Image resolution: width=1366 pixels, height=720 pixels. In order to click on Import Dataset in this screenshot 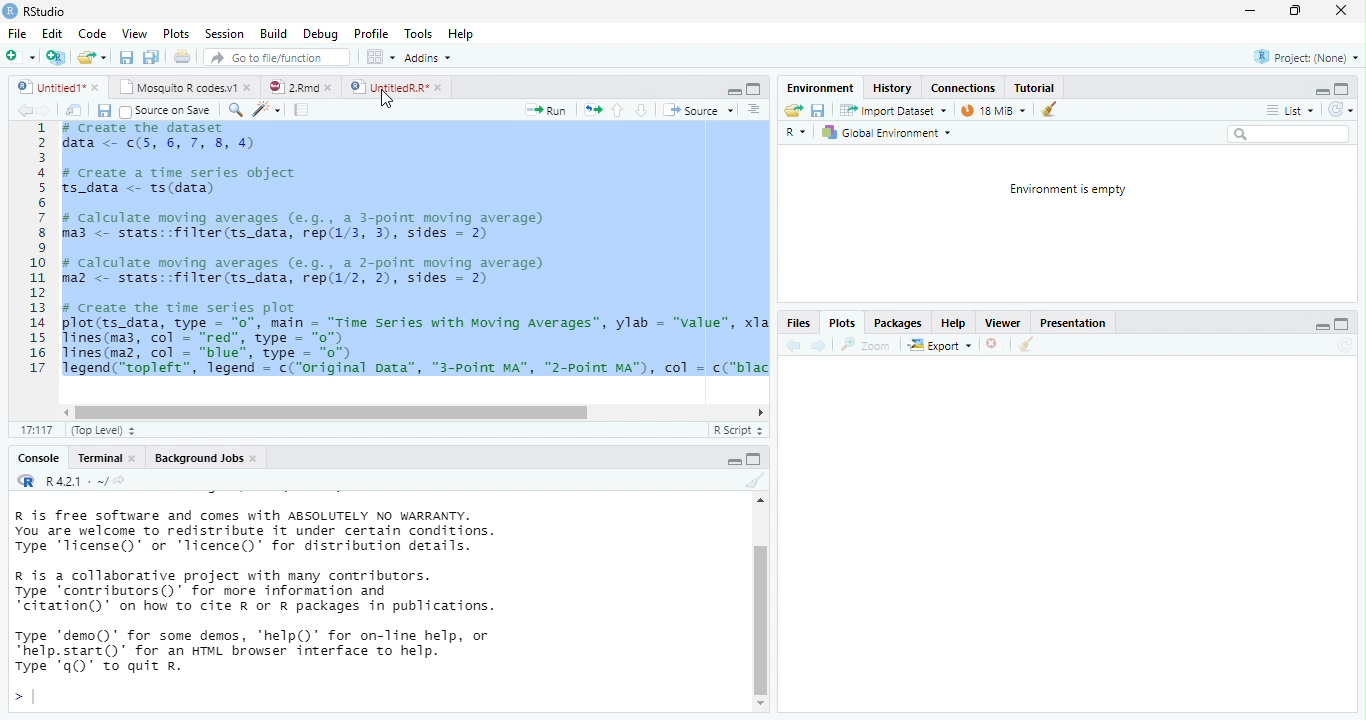, I will do `click(895, 110)`.